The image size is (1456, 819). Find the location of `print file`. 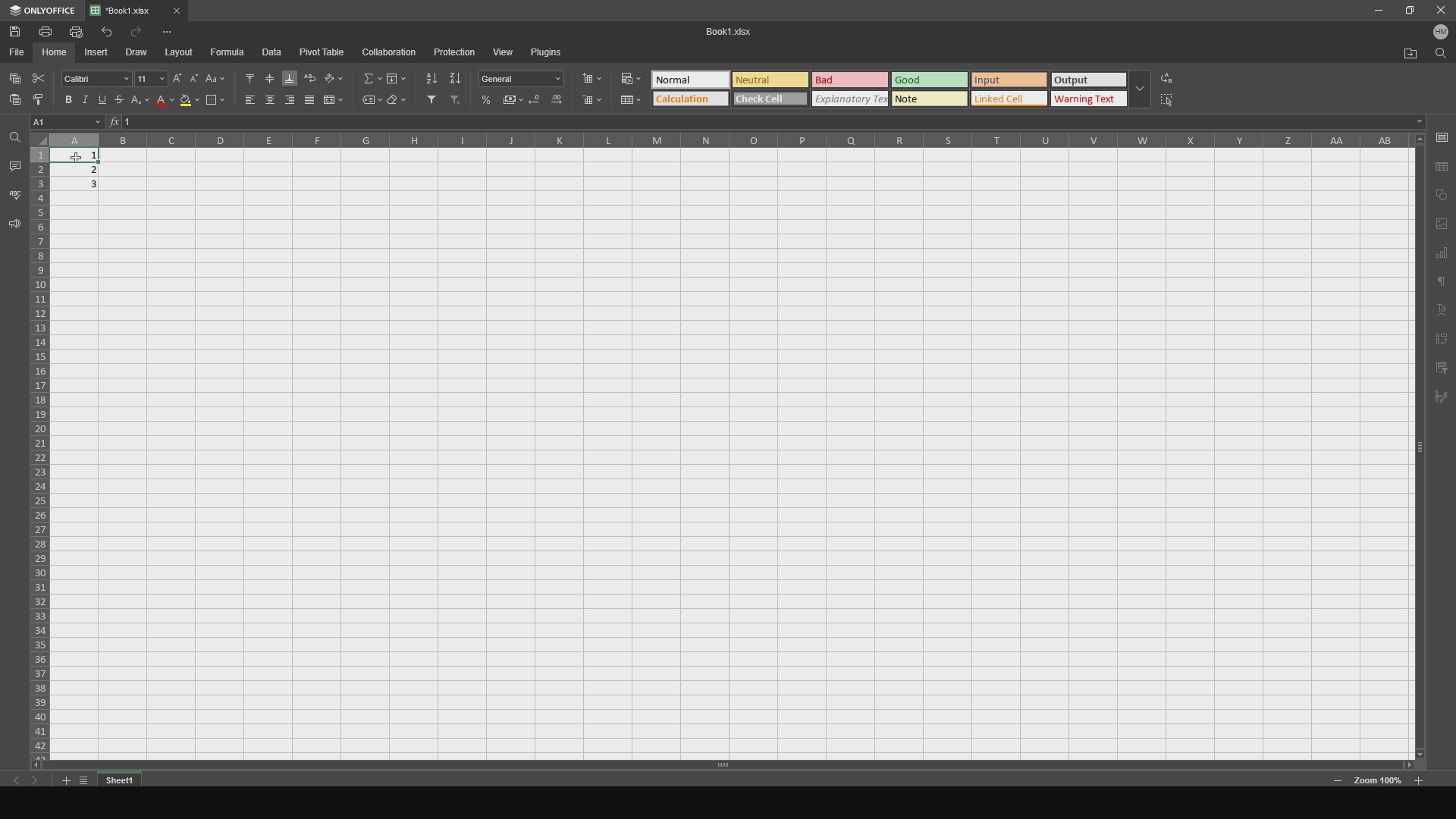

print file is located at coordinates (77, 32).